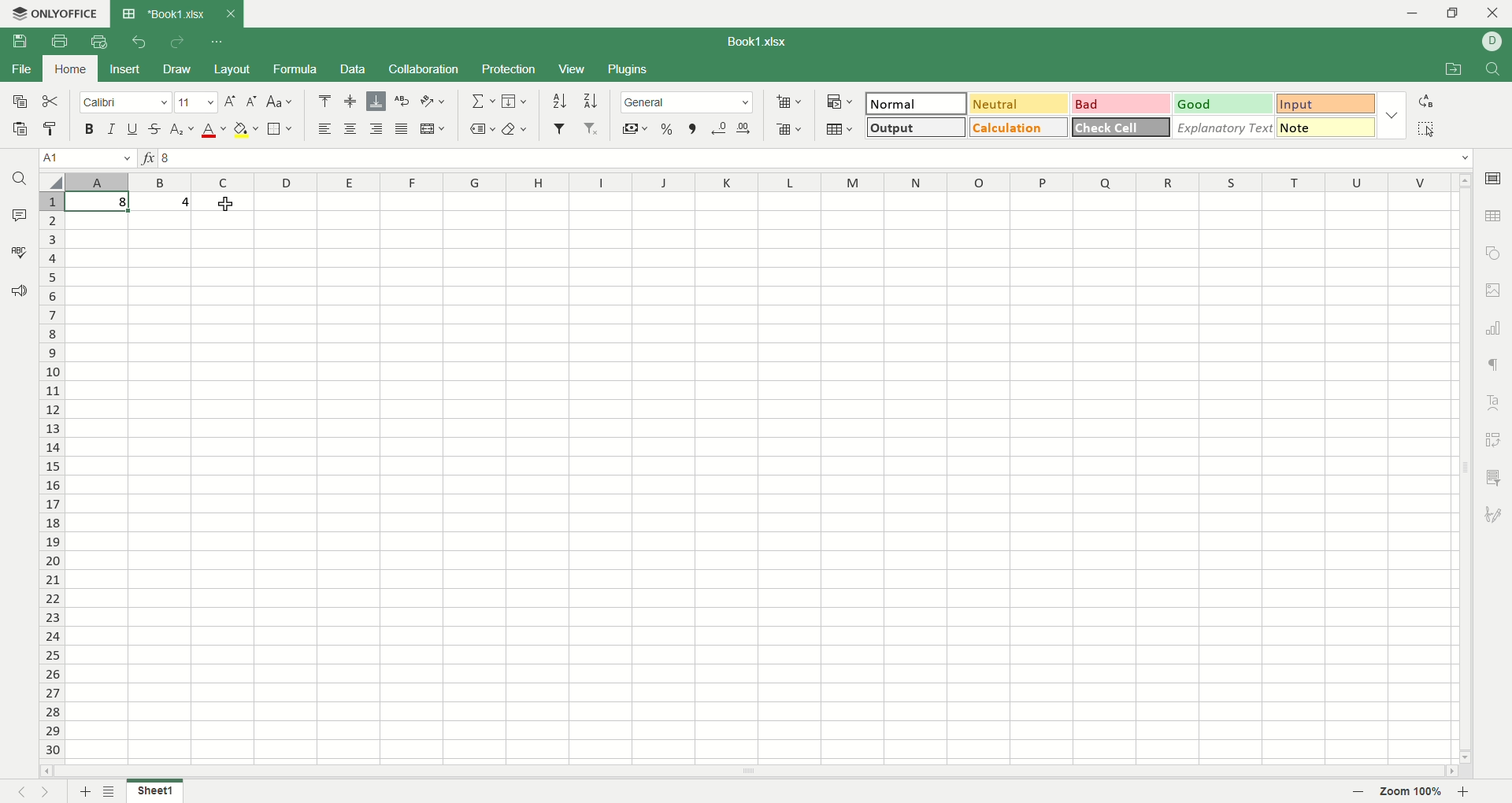 The height and width of the screenshot is (803, 1512). Describe the element at coordinates (214, 131) in the screenshot. I see `font color` at that location.